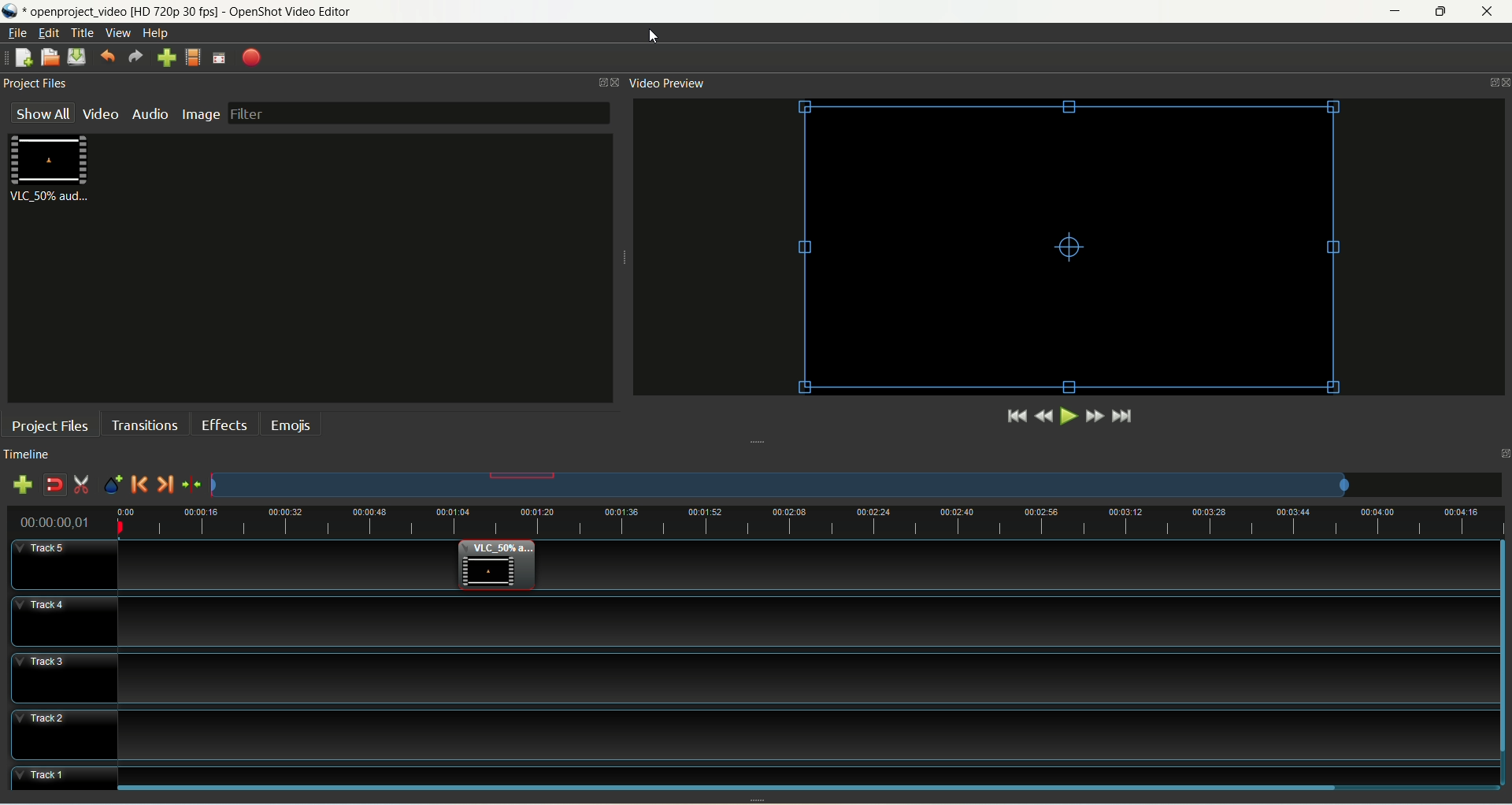  What do you see at coordinates (157, 33) in the screenshot?
I see `help` at bounding box center [157, 33].